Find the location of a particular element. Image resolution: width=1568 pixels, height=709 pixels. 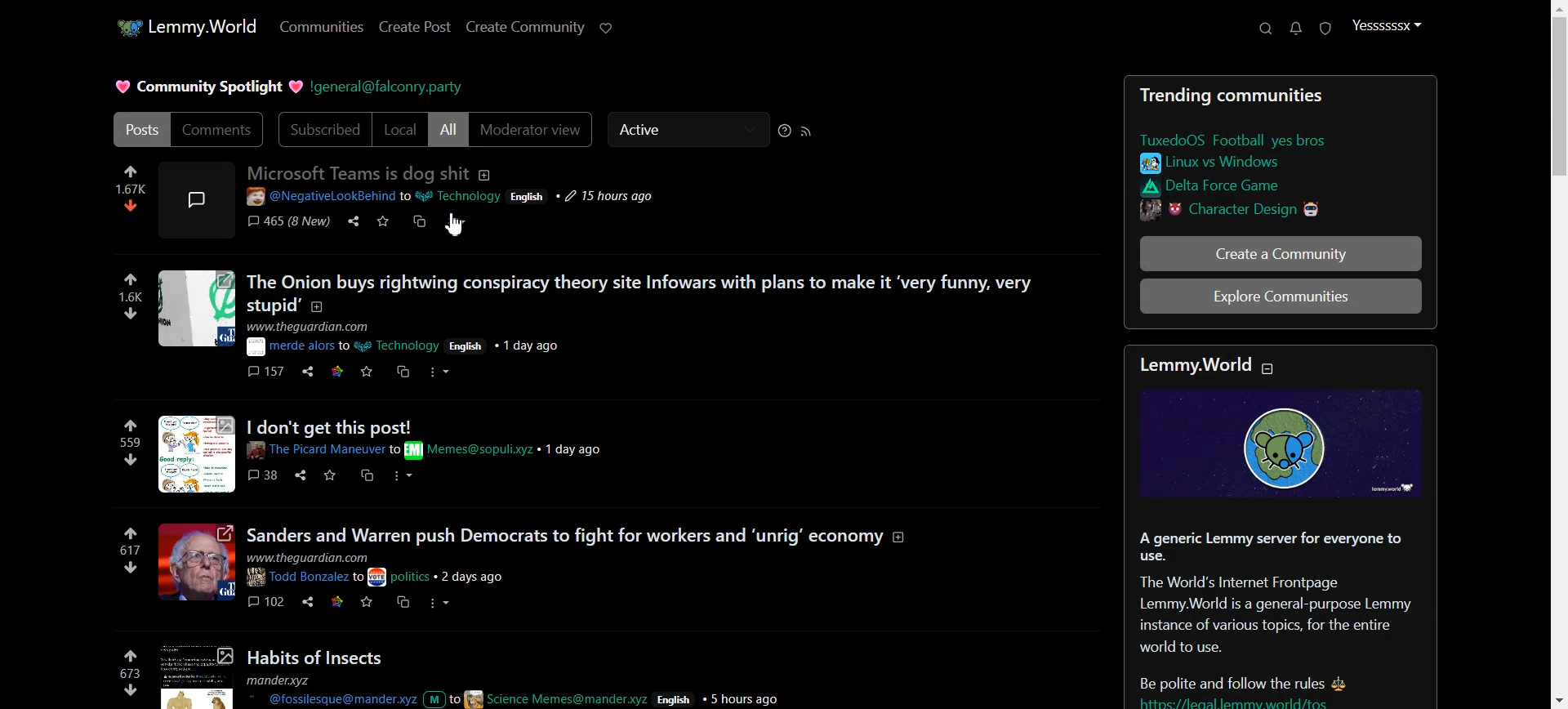

image is located at coordinates (1290, 447).